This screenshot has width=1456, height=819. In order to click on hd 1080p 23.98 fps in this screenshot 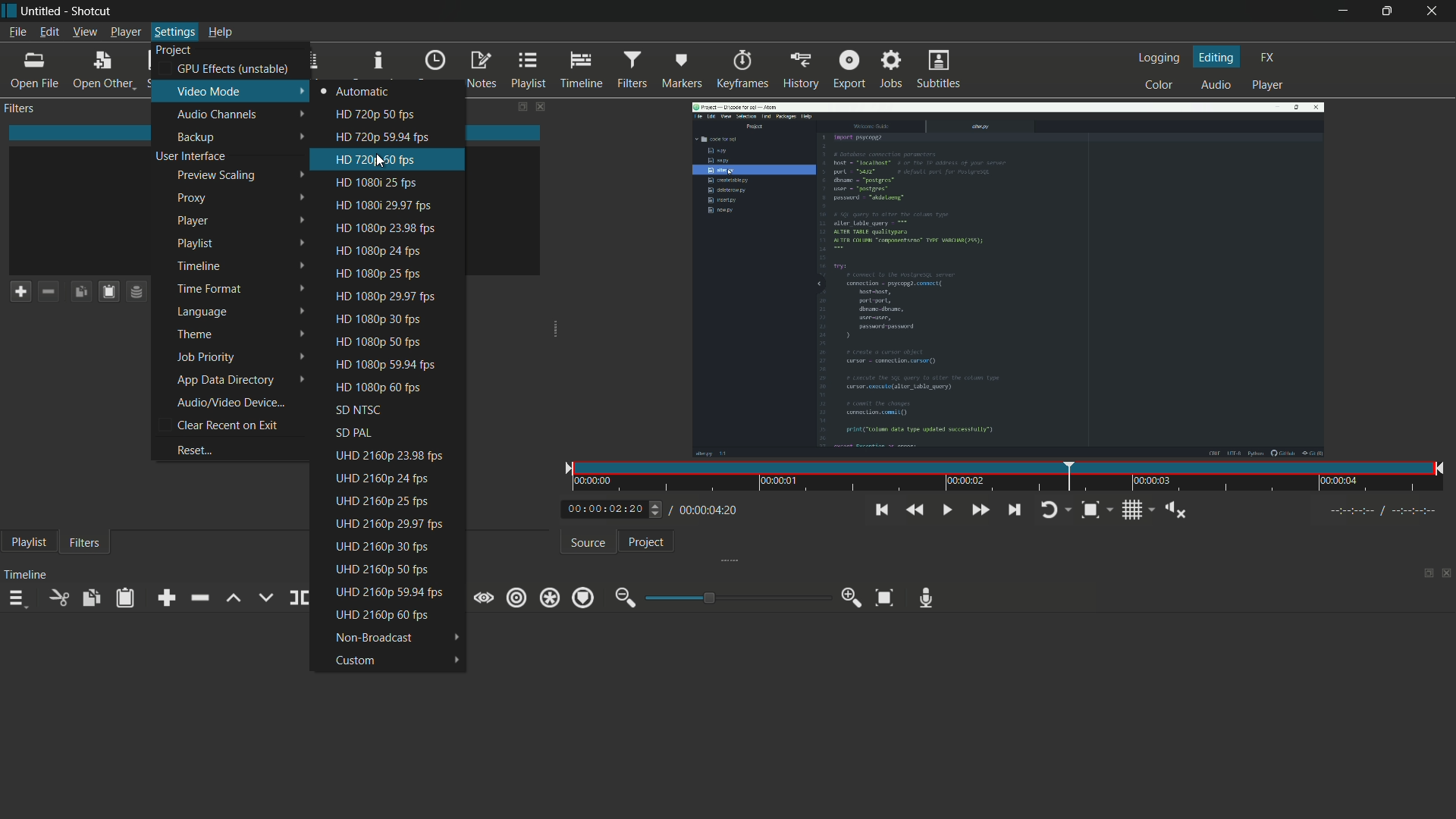, I will do `click(398, 229)`.